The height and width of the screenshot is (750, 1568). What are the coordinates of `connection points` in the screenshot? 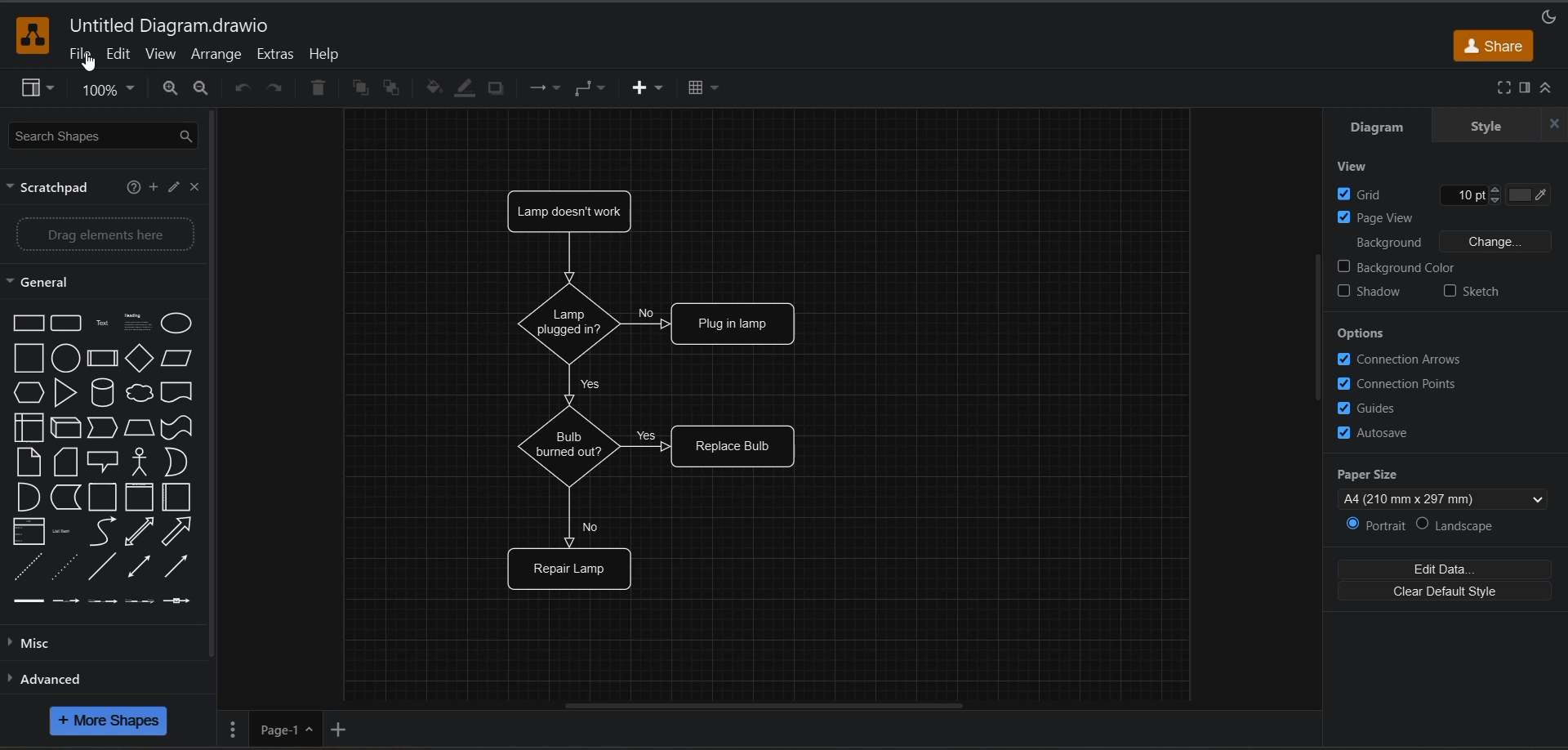 It's located at (1400, 383).